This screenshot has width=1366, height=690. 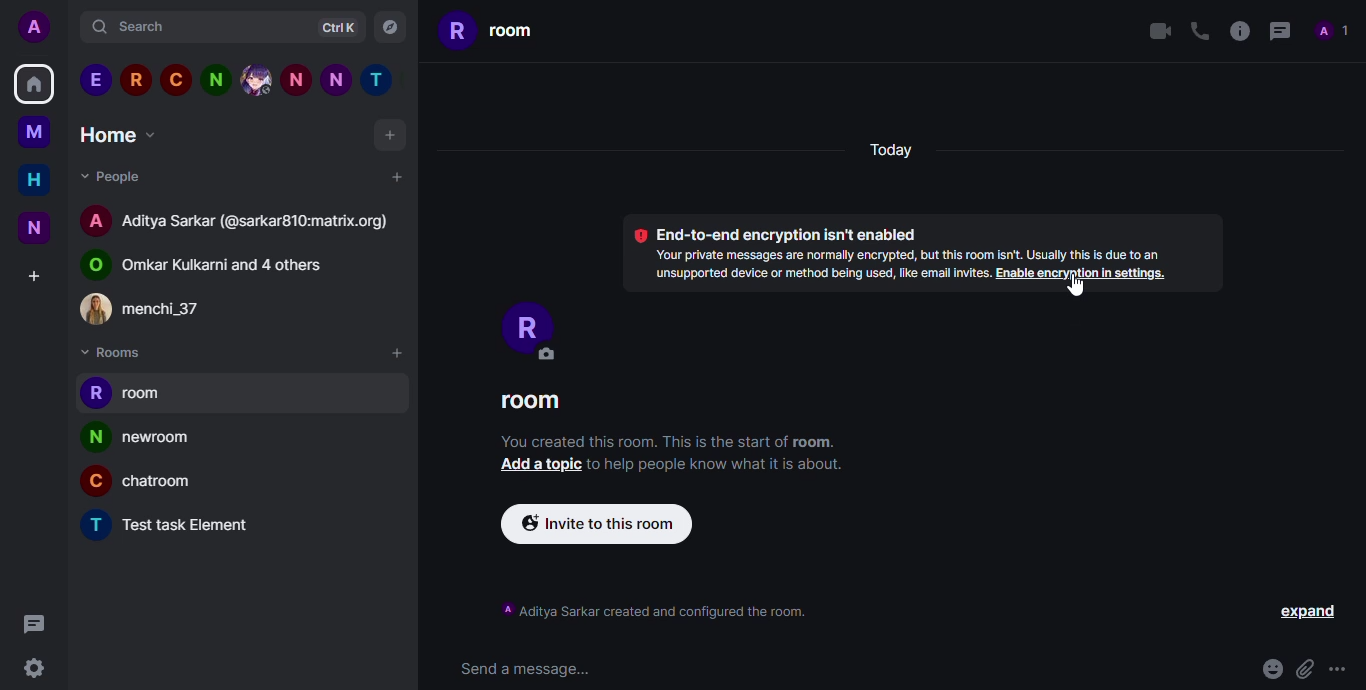 I want to click on room, so click(x=492, y=31).